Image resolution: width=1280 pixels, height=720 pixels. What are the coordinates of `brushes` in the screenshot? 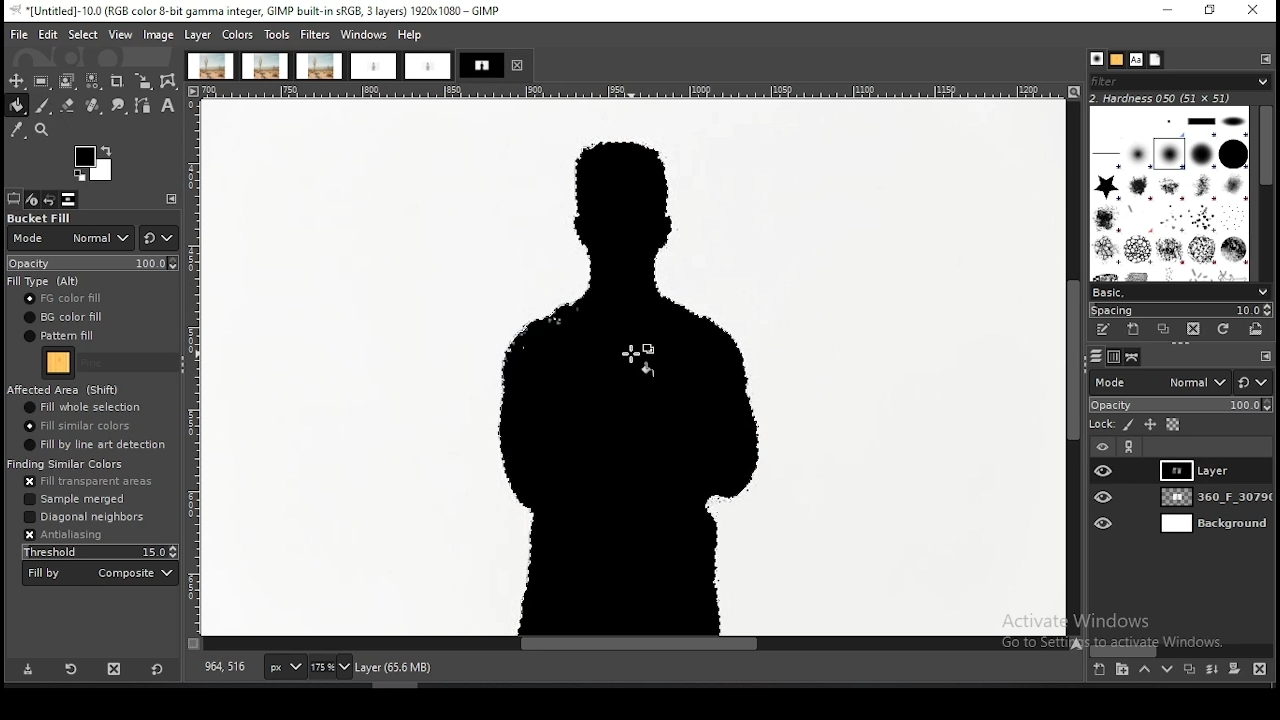 It's located at (1096, 59).